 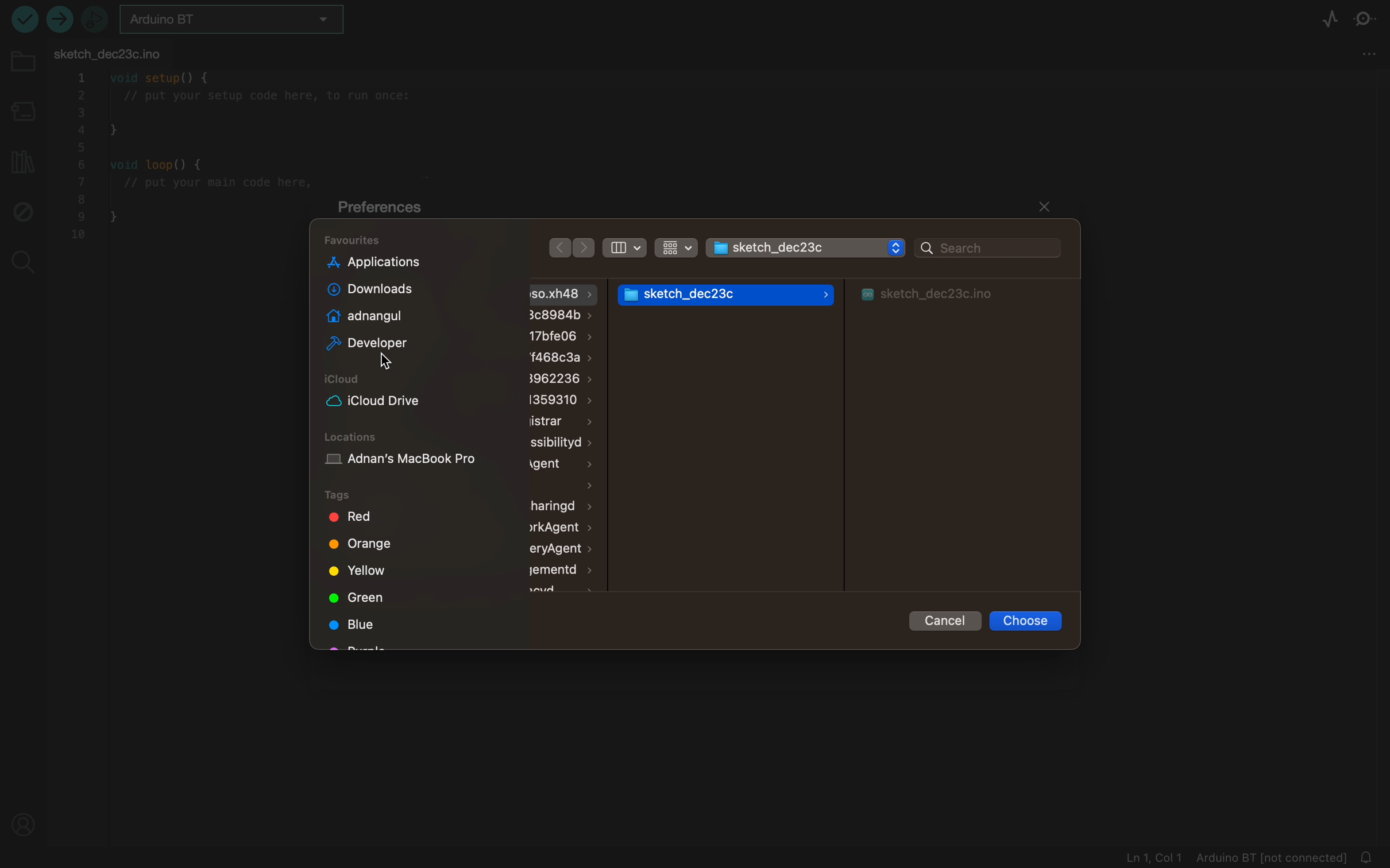 What do you see at coordinates (1365, 57) in the screenshot?
I see `tab settings` at bounding box center [1365, 57].